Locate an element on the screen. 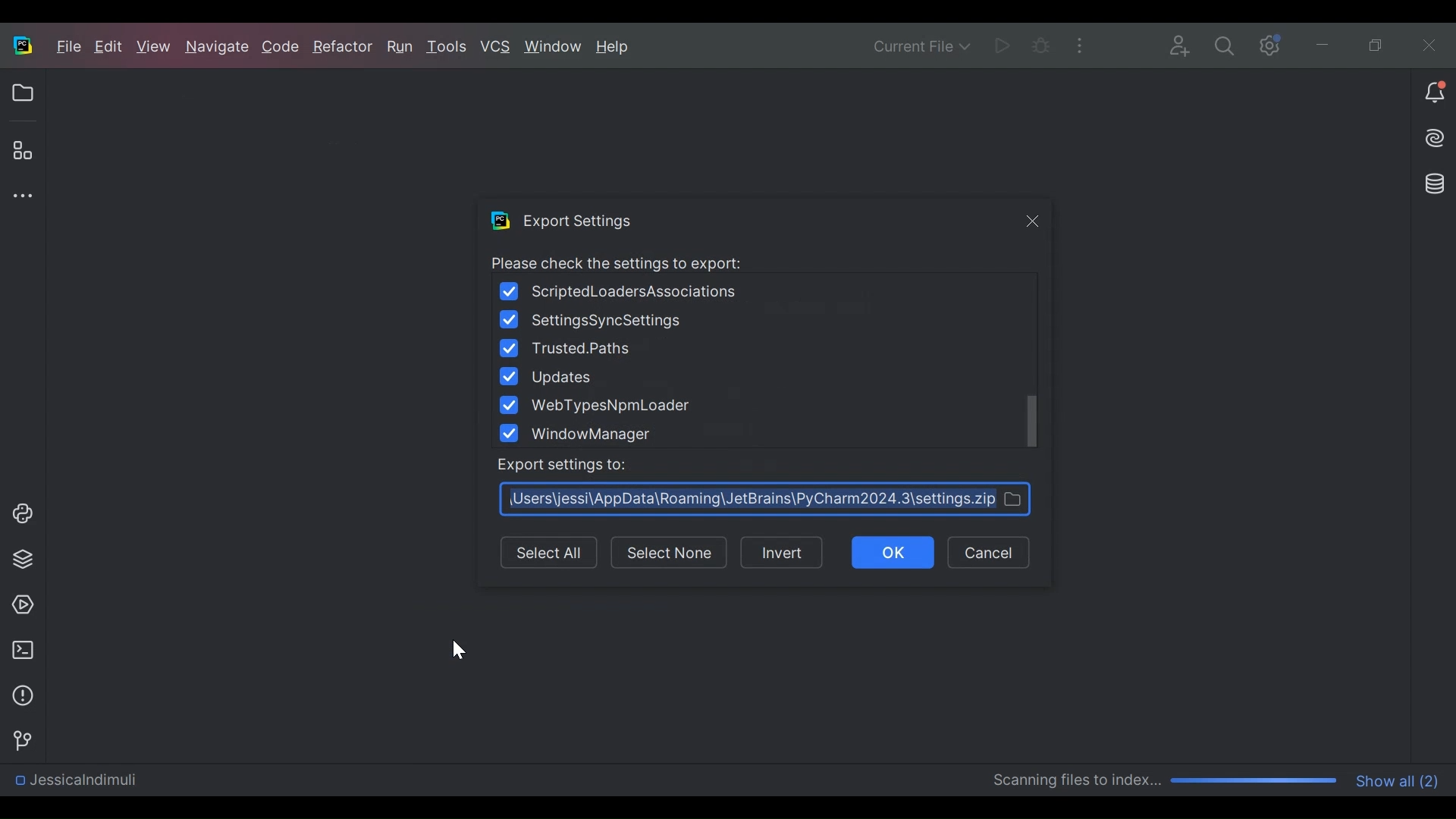 Image resolution: width=1456 pixels, height=819 pixels. (un)check SettingsSyncSettings is located at coordinates (596, 321).